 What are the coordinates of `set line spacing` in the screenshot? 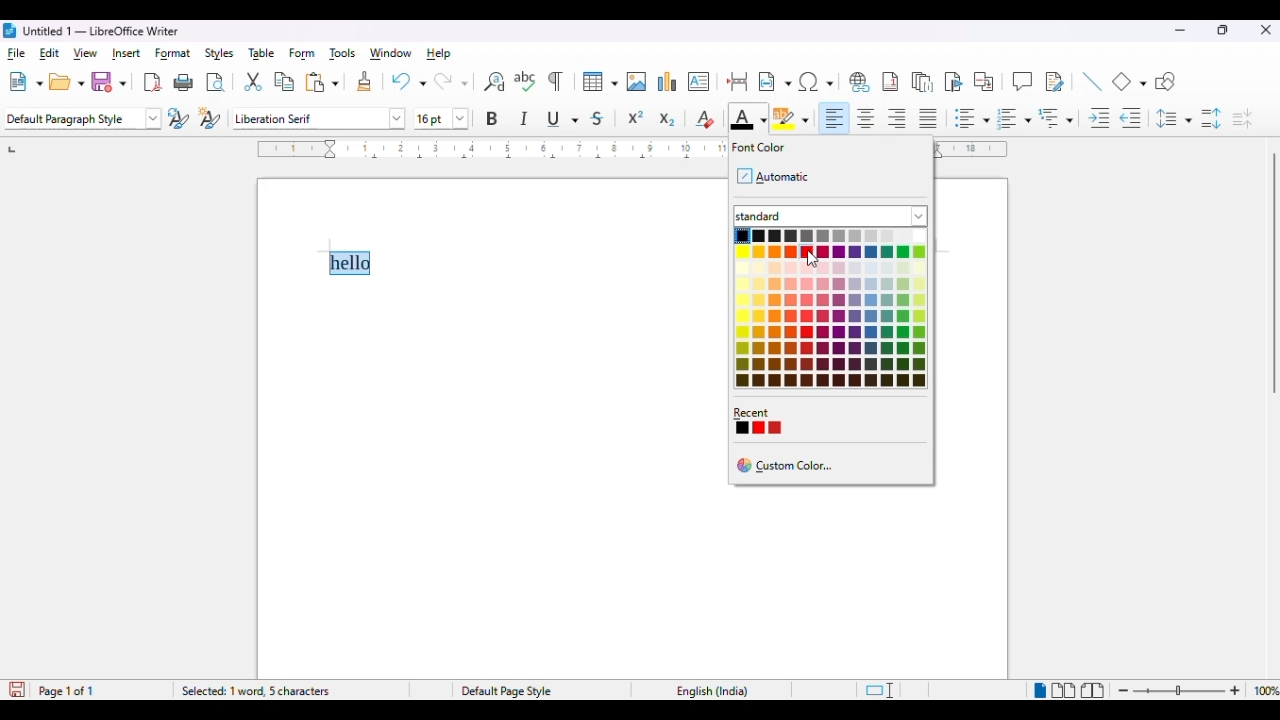 It's located at (1174, 118).